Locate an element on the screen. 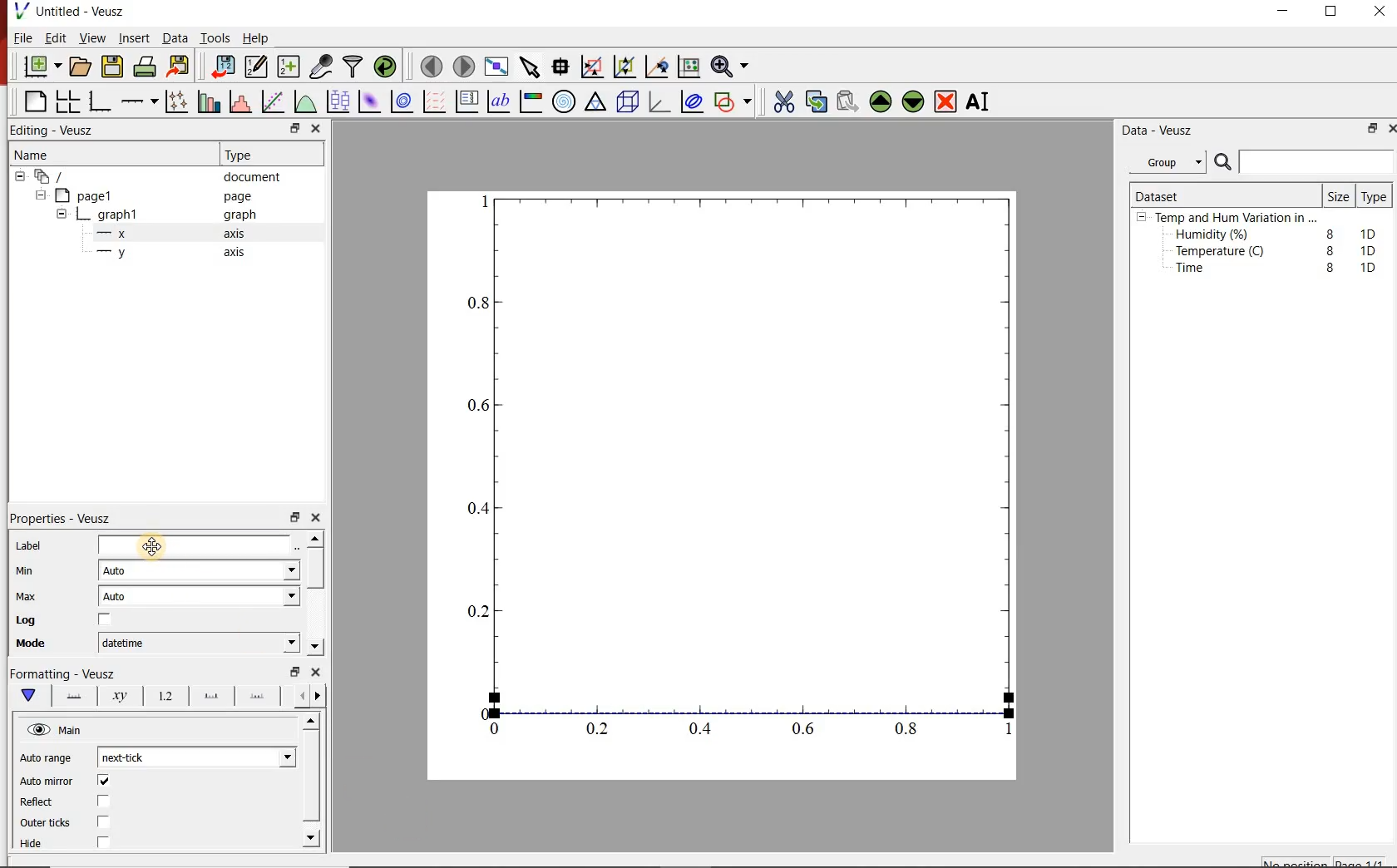 This screenshot has height=868, width=1397. 3d graph is located at coordinates (662, 104).